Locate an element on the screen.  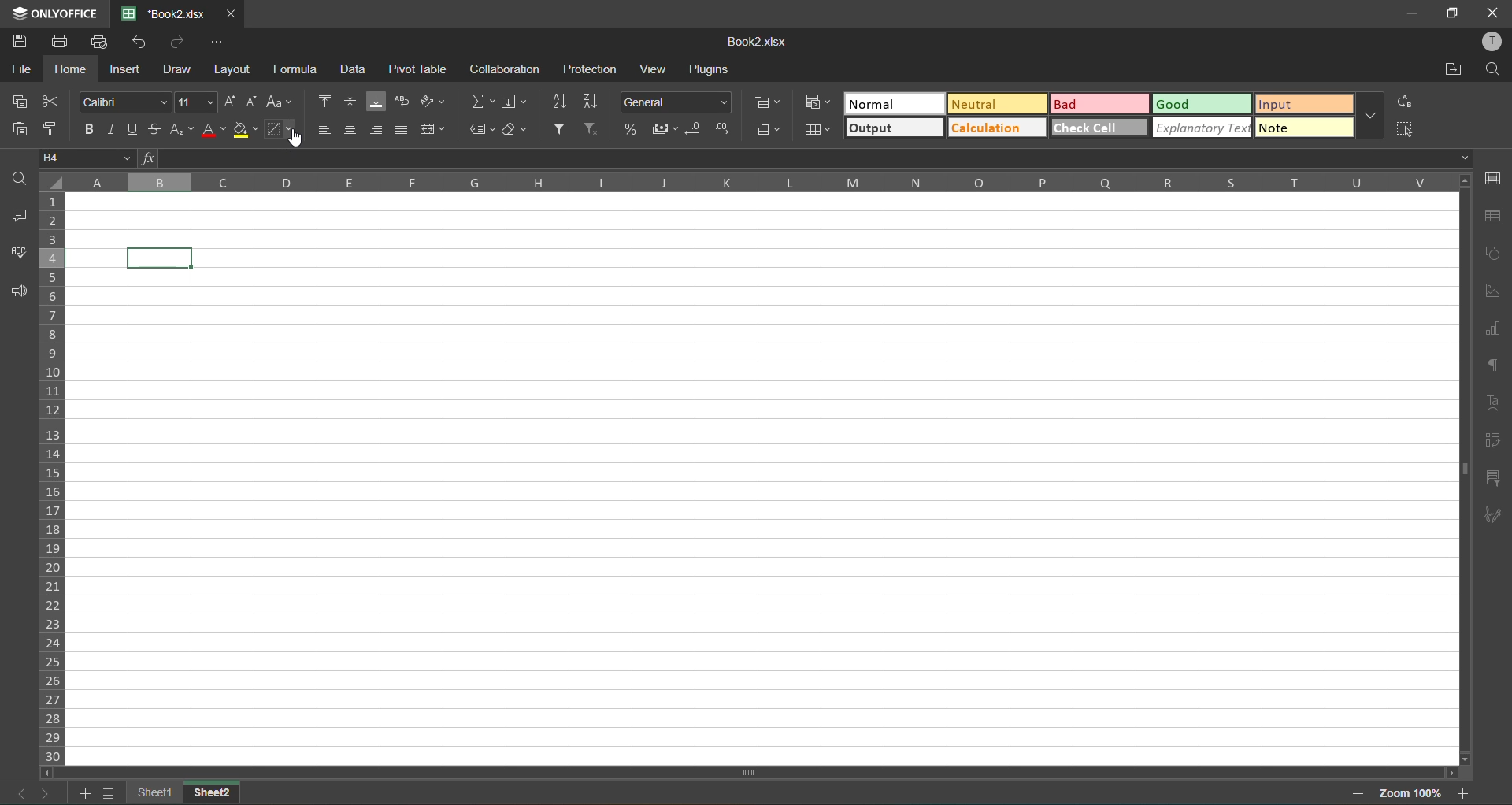
fillcolor is located at coordinates (245, 131).